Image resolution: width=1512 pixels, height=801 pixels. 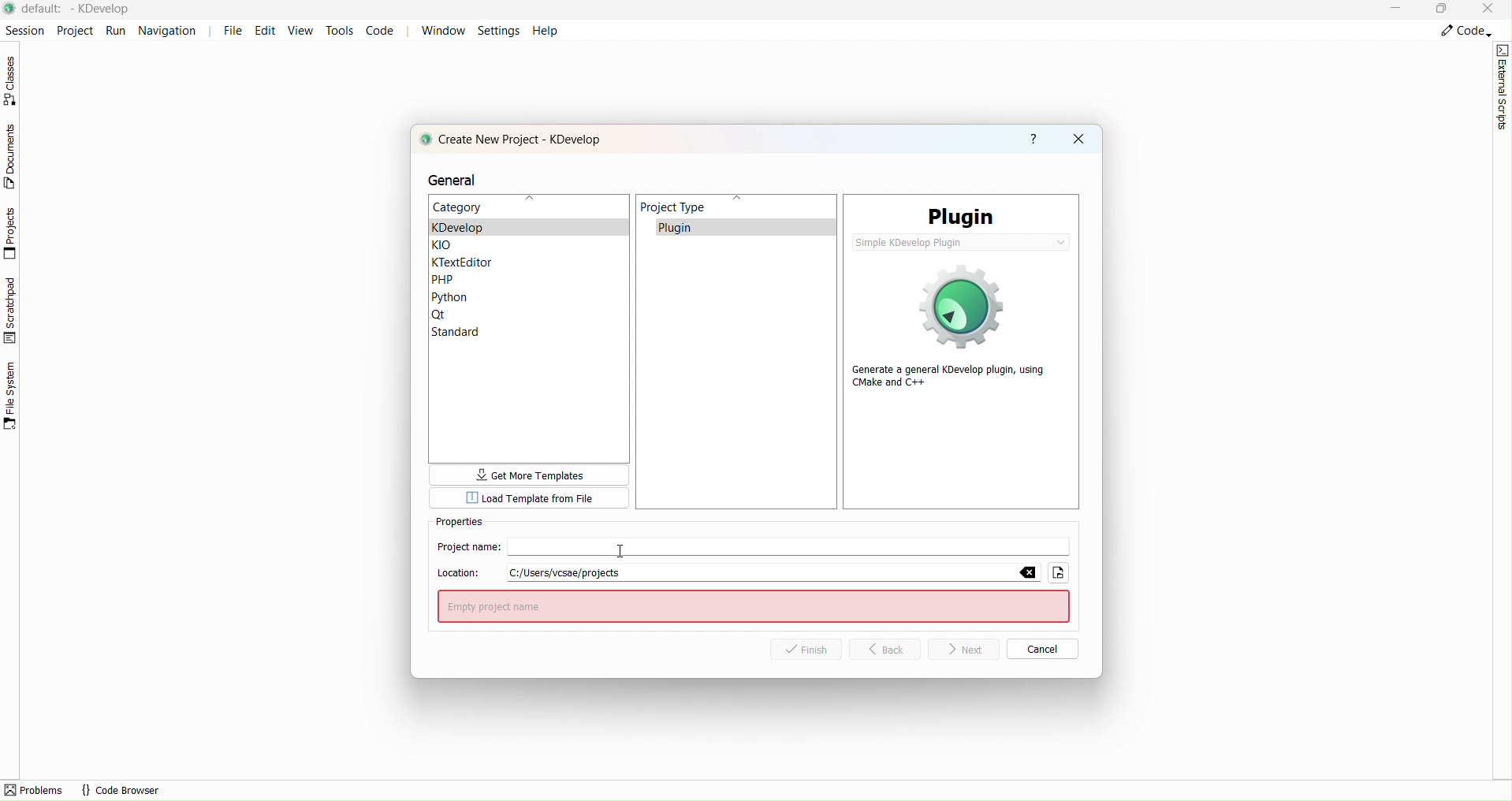 What do you see at coordinates (339, 30) in the screenshot?
I see `tools` at bounding box center [339, 30].